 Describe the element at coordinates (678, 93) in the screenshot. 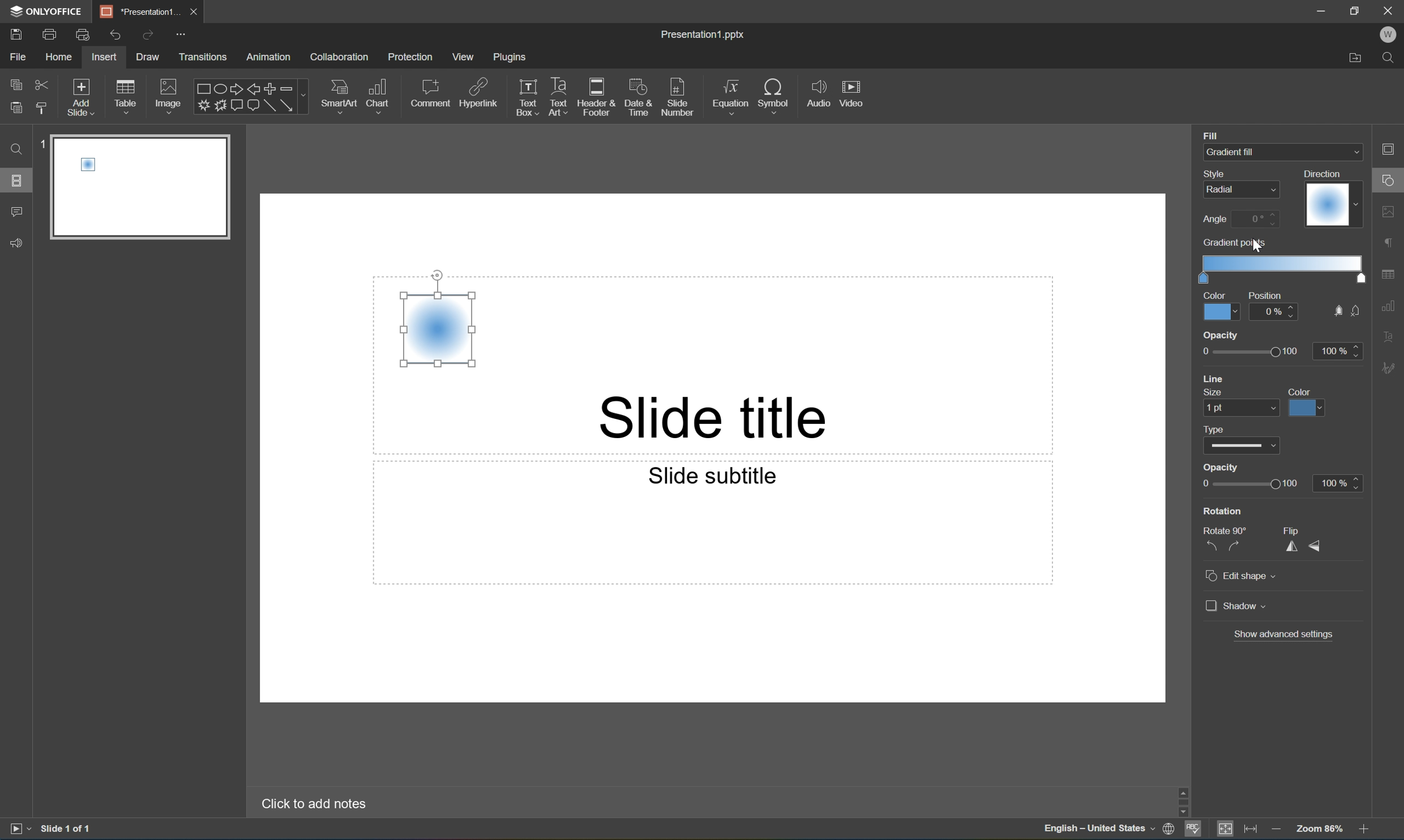

I see `Slide number` at that location.